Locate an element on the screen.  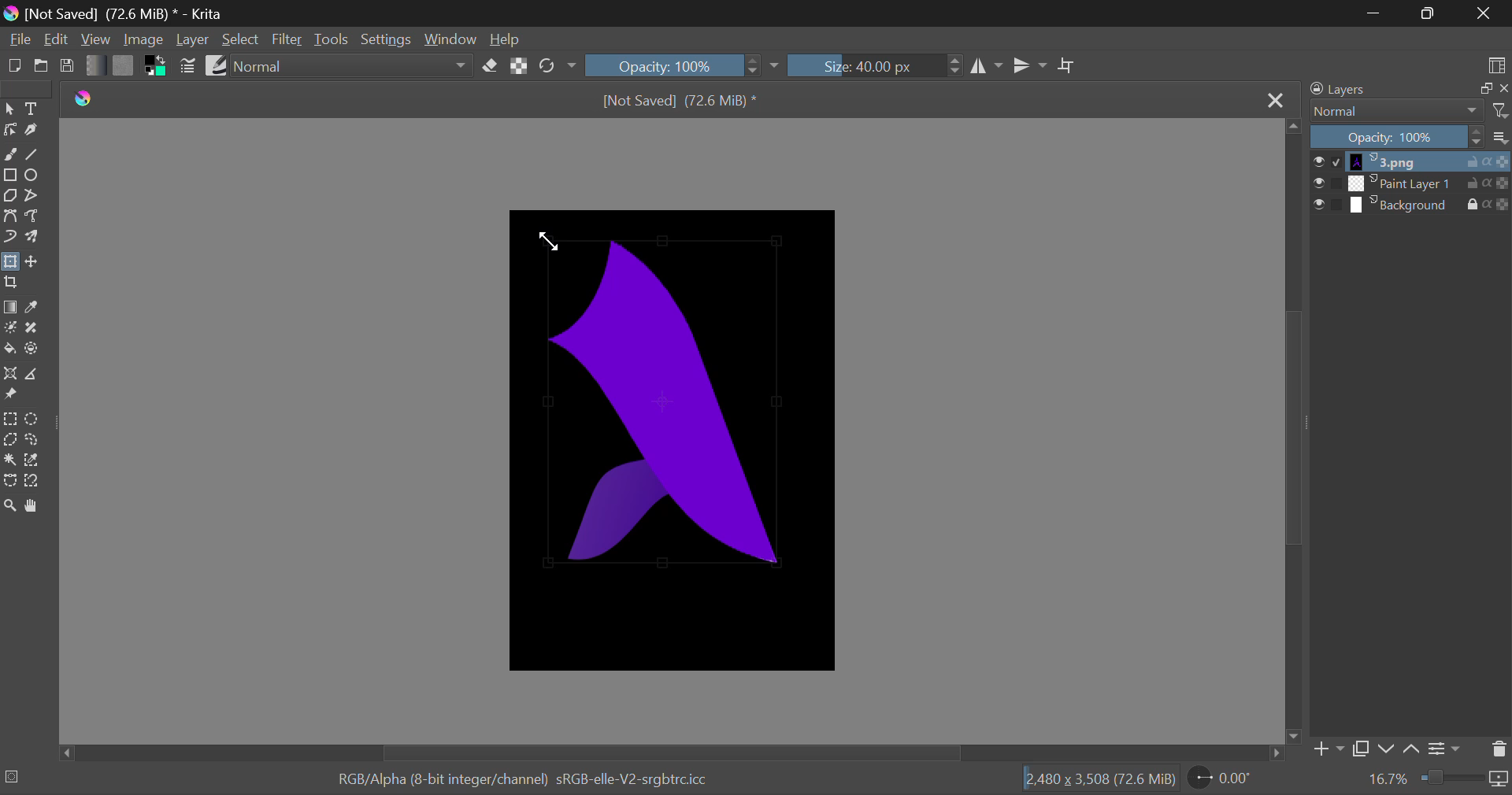
more options is located at coordinates (1499, 139).